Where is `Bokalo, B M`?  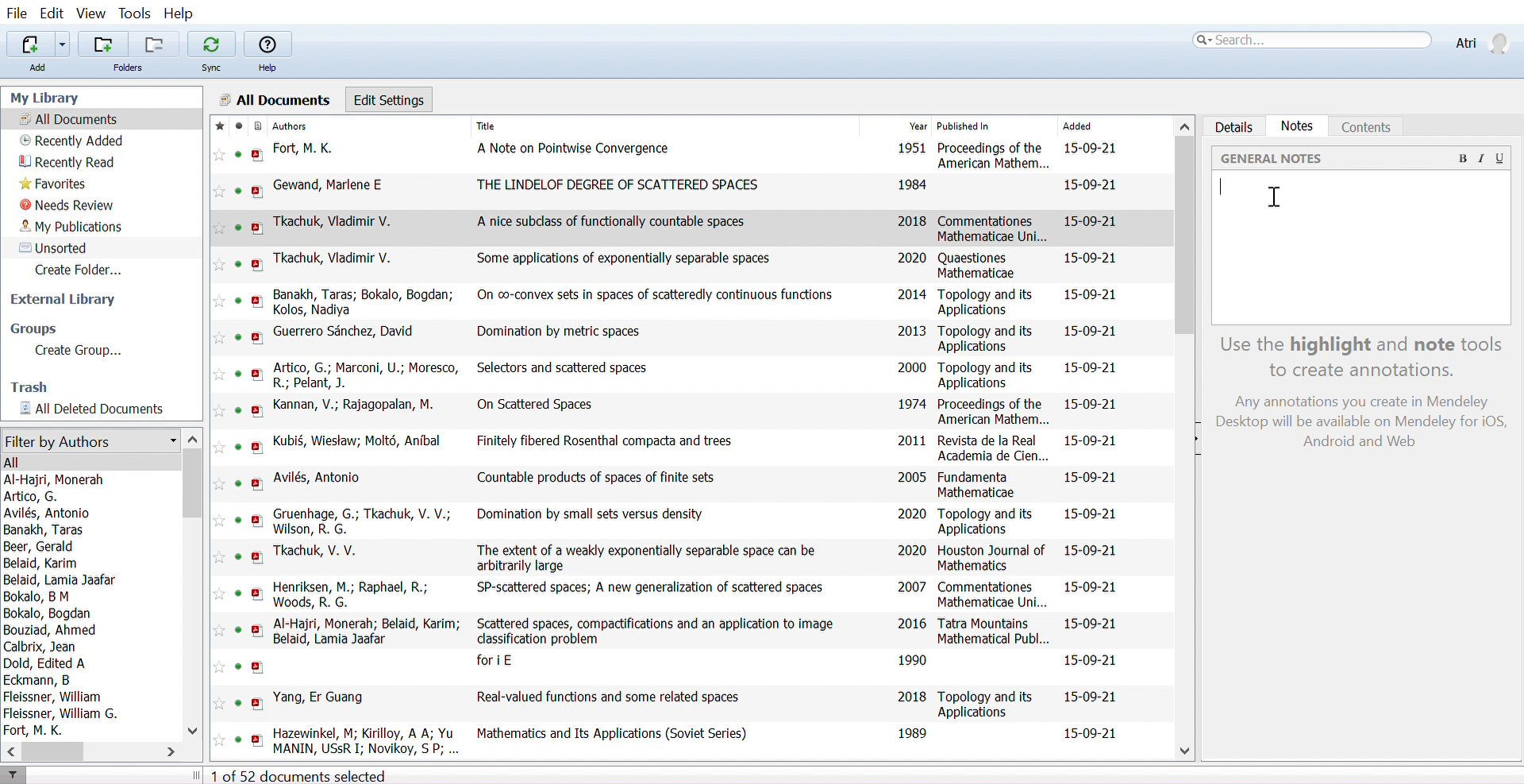
Bokalo, B M is located at coordinates (36, 597).